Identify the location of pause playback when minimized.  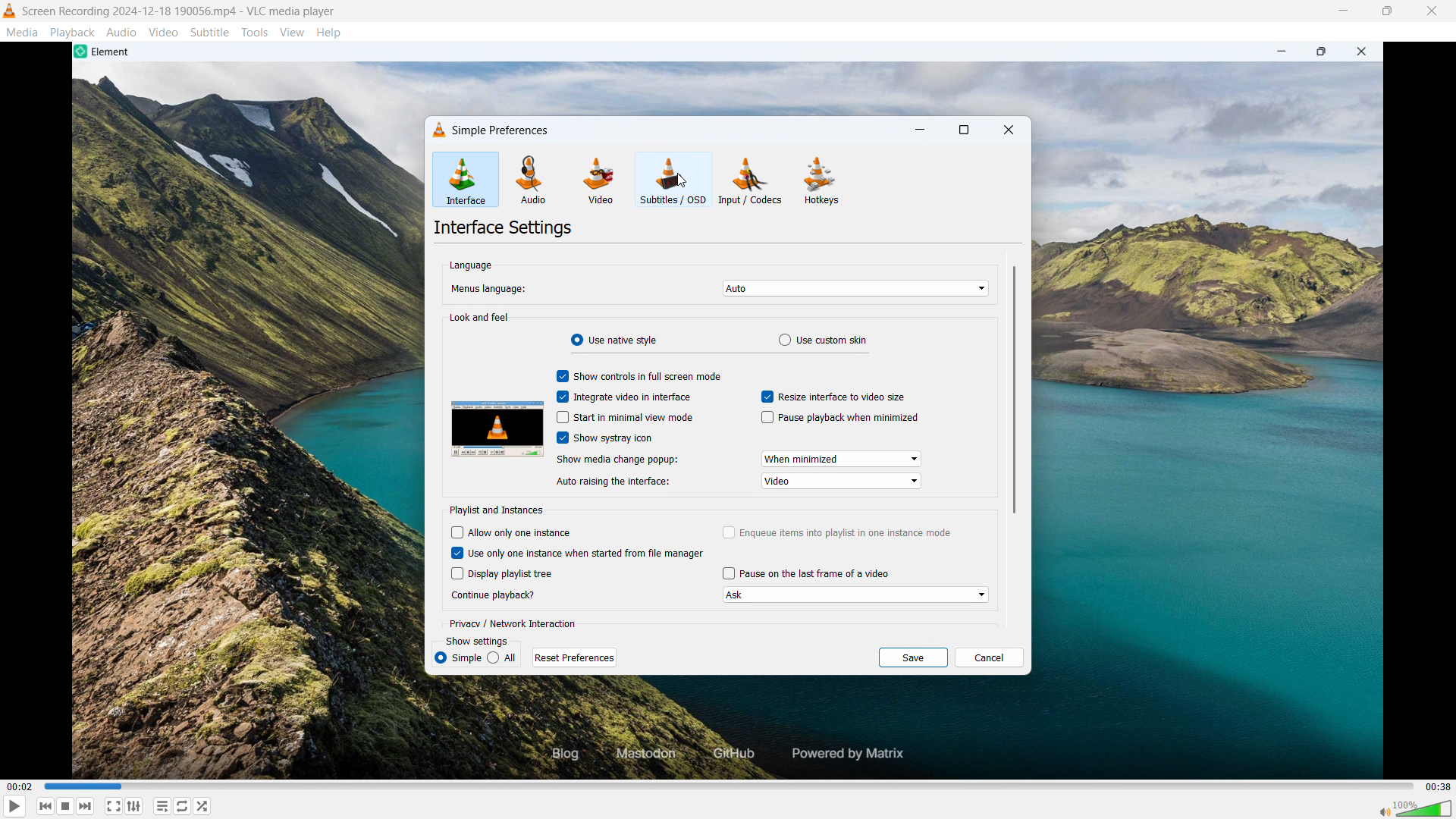
(839, 418).